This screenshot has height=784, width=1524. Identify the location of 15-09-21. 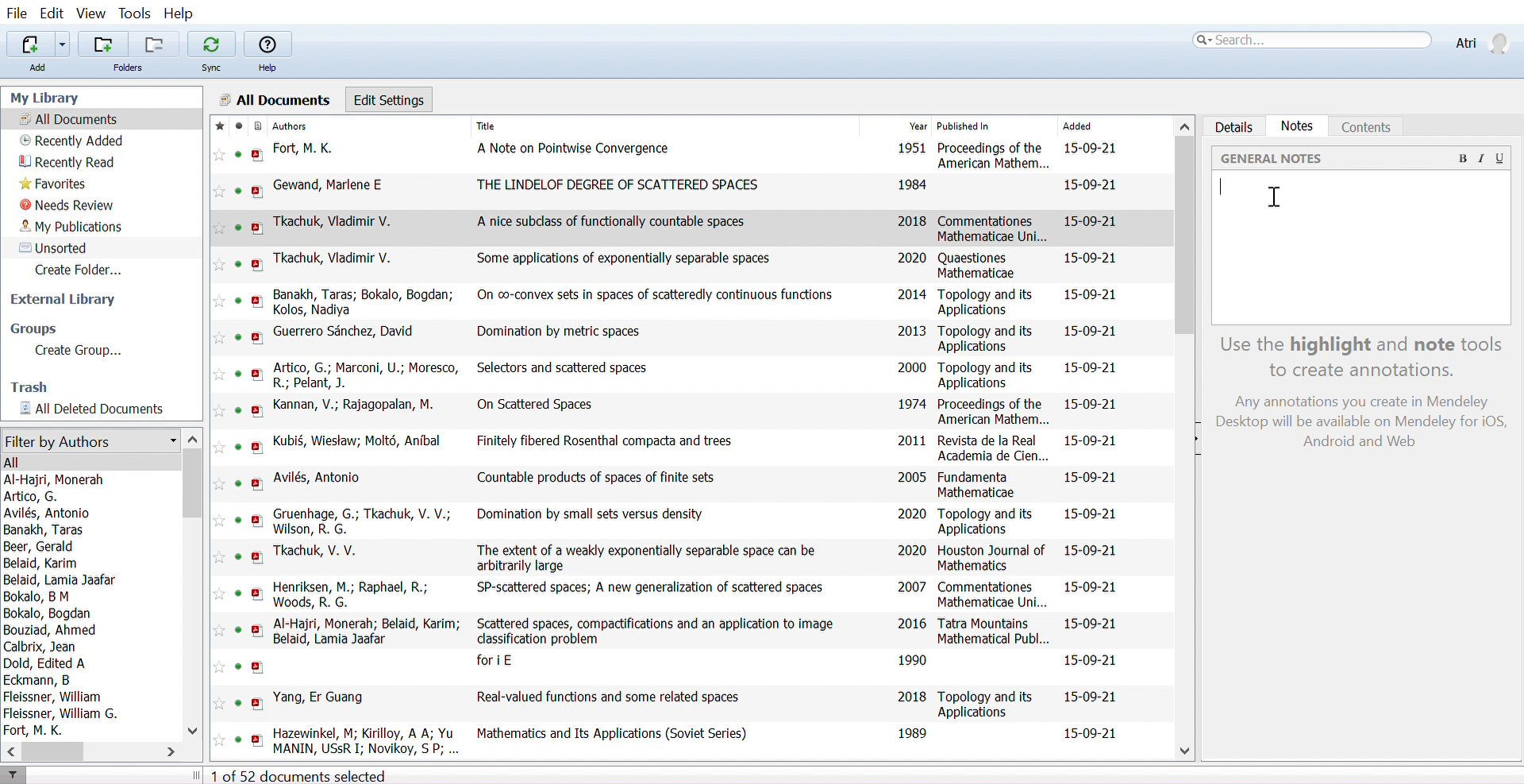
(1091, 660).